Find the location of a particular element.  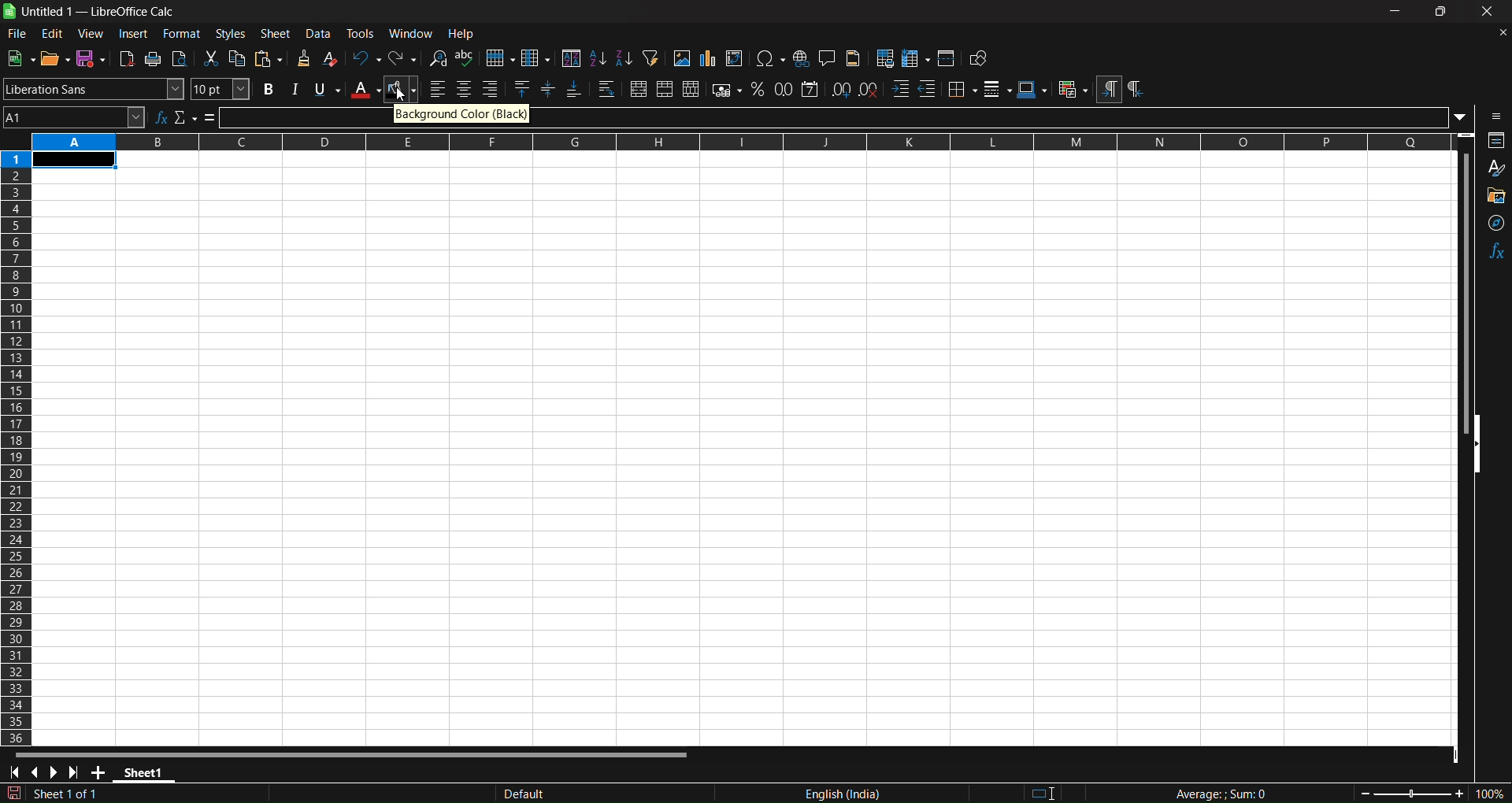

cut is located at coordinates (210, 59).